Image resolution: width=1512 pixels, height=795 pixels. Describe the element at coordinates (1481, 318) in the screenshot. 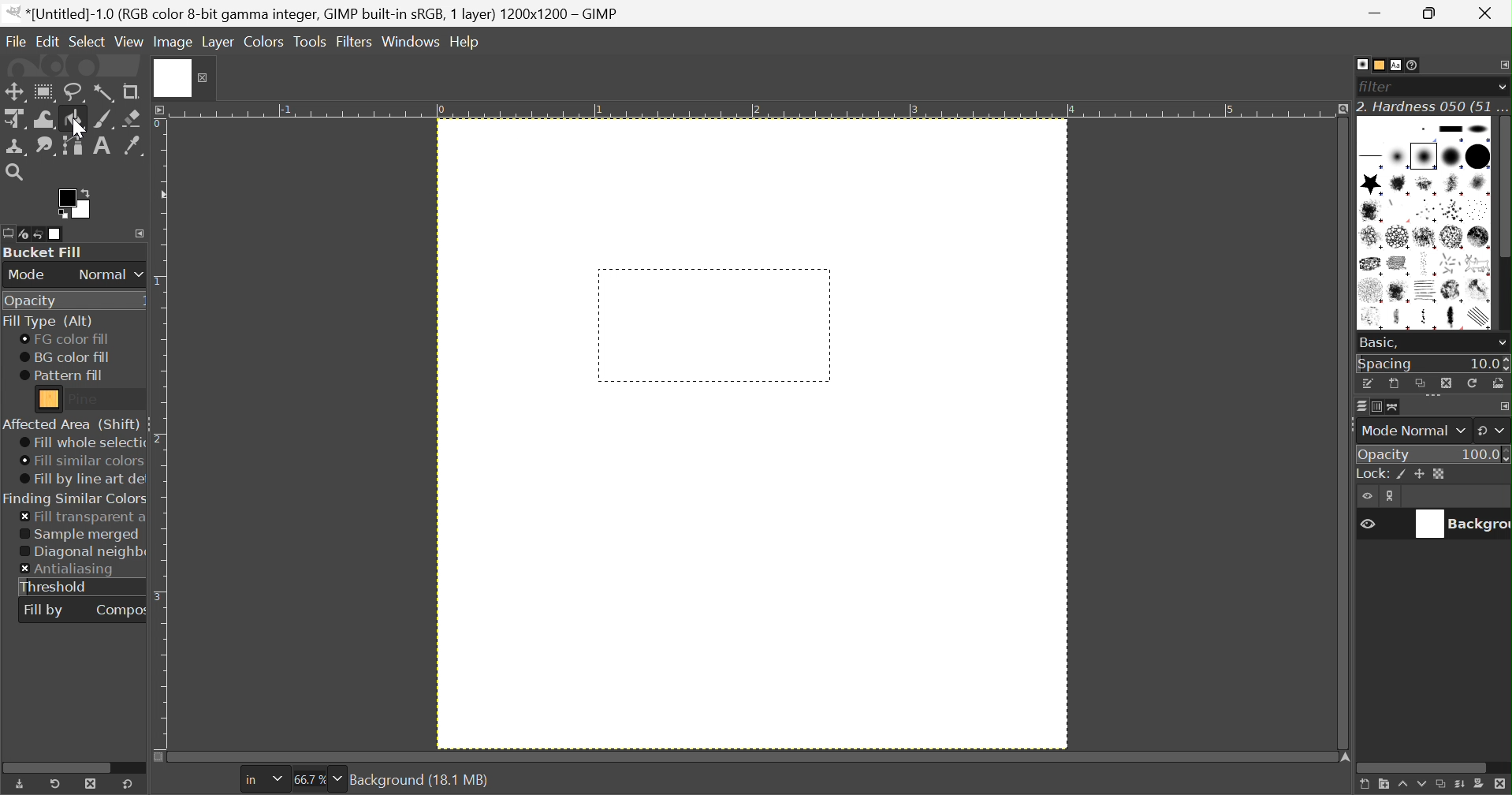

I see `Pencil Scratch` at that location.